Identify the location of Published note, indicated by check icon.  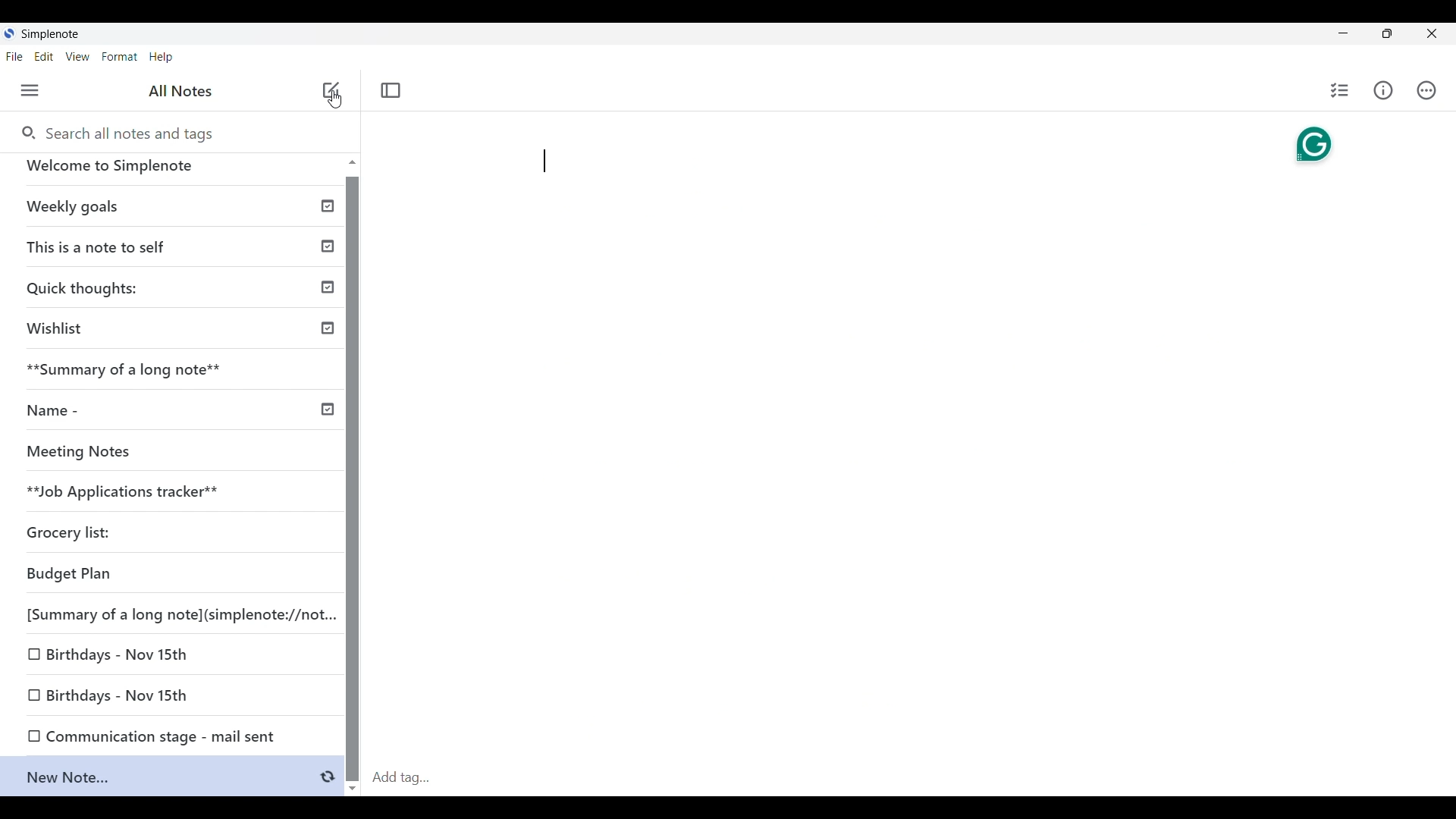
(178, 416).